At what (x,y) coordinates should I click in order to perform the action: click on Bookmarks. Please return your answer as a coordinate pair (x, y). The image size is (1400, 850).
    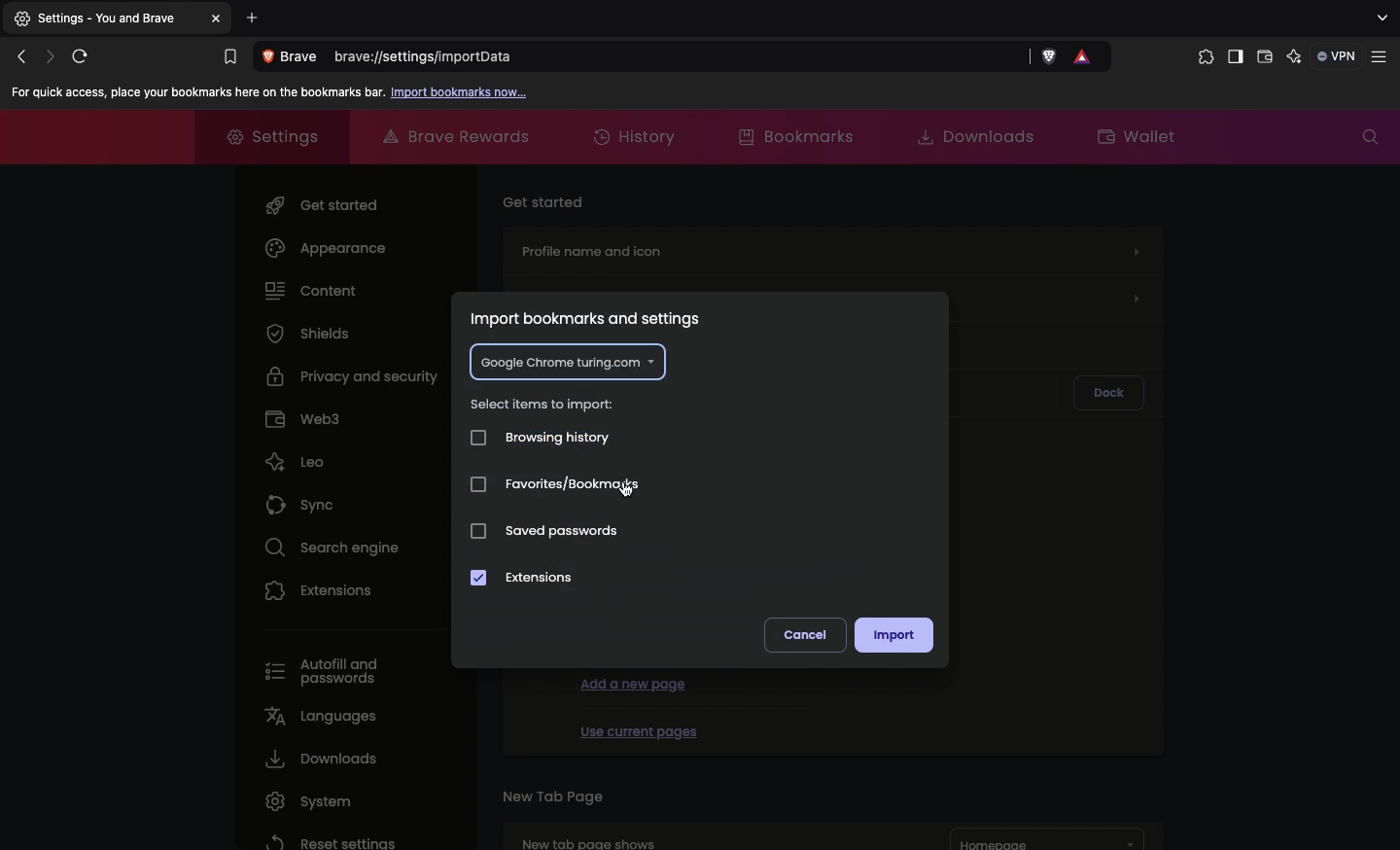
    Looking at the image, I should click on (228, 57).